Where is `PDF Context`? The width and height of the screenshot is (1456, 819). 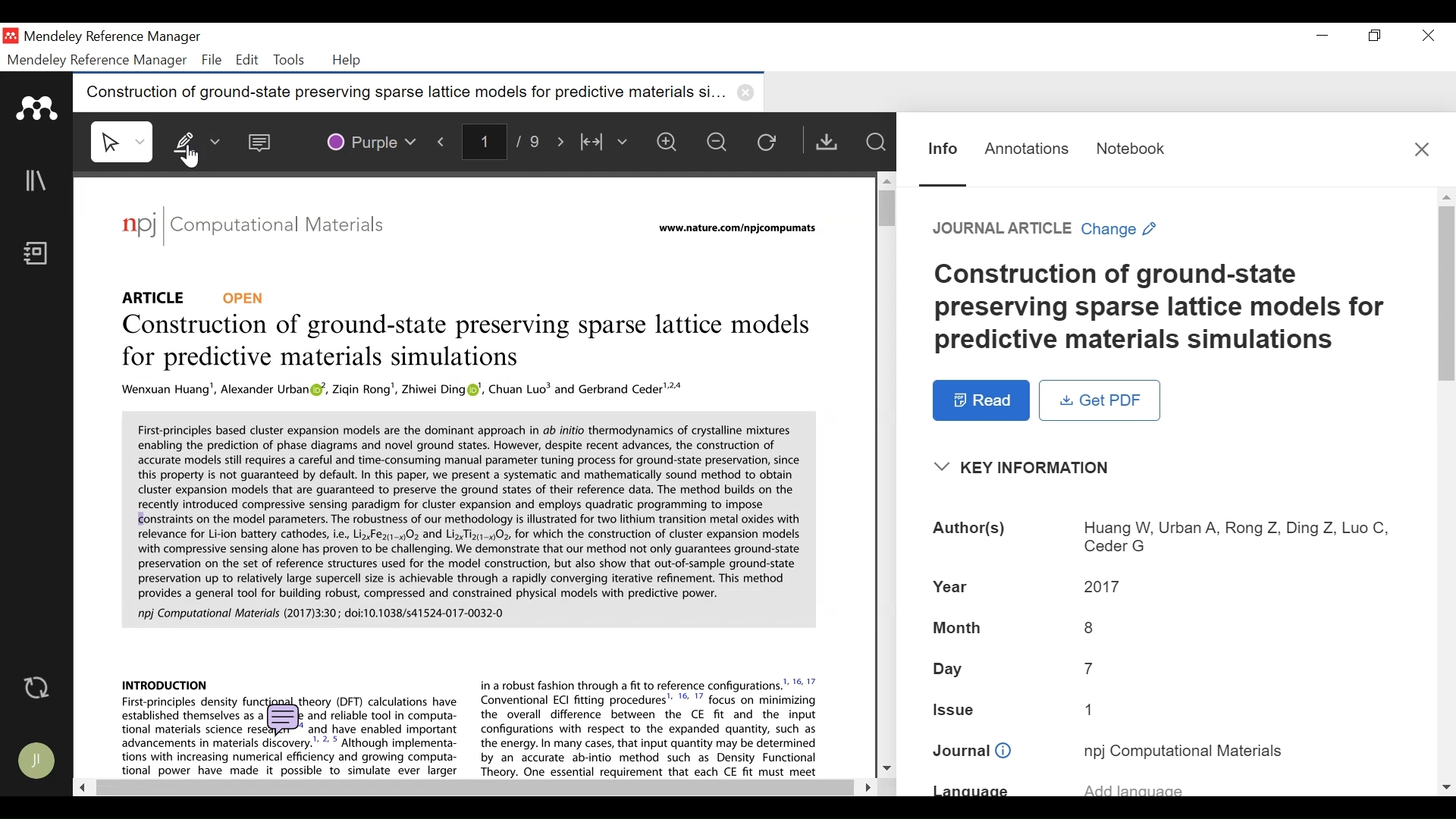 PDF Context is located at coordinates (651, 726).